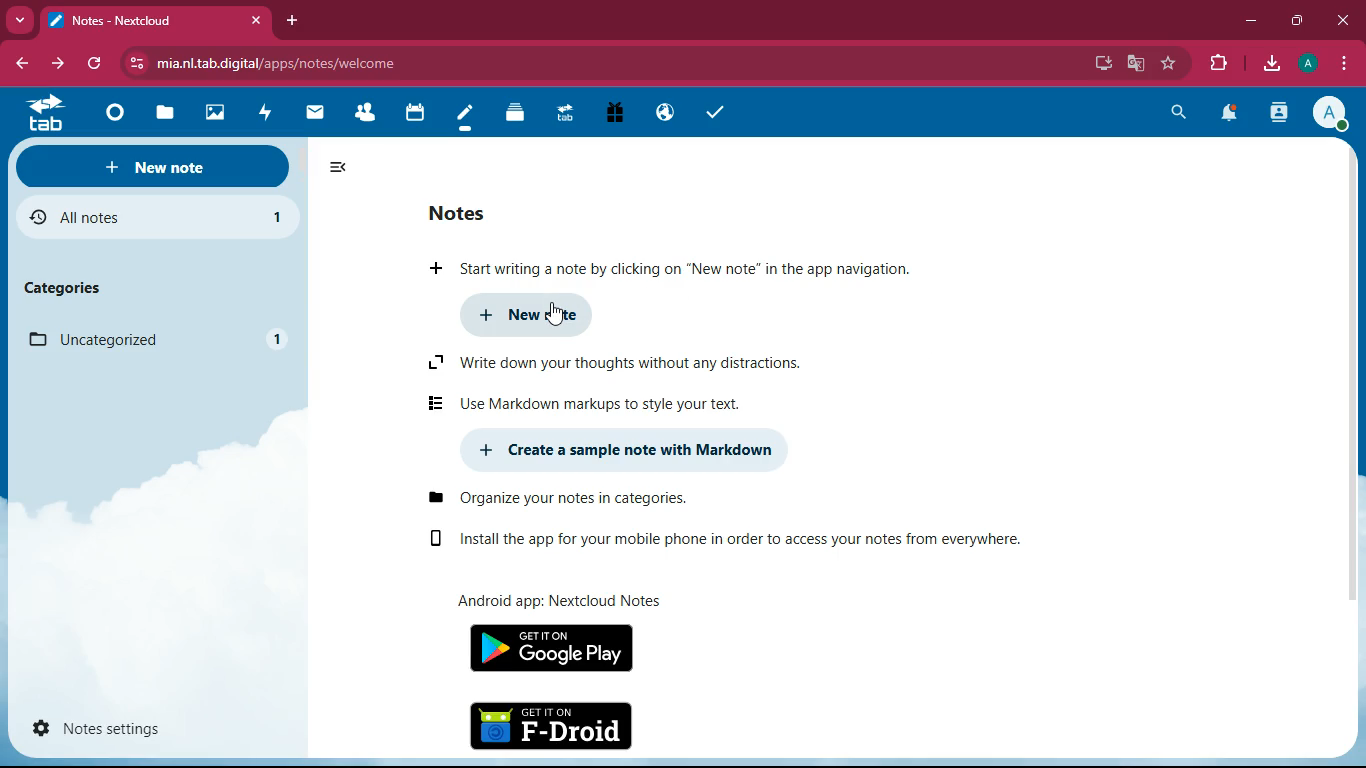  Describe the element at coordinates (666, 114) in the screenshot. I see `public` at that location.